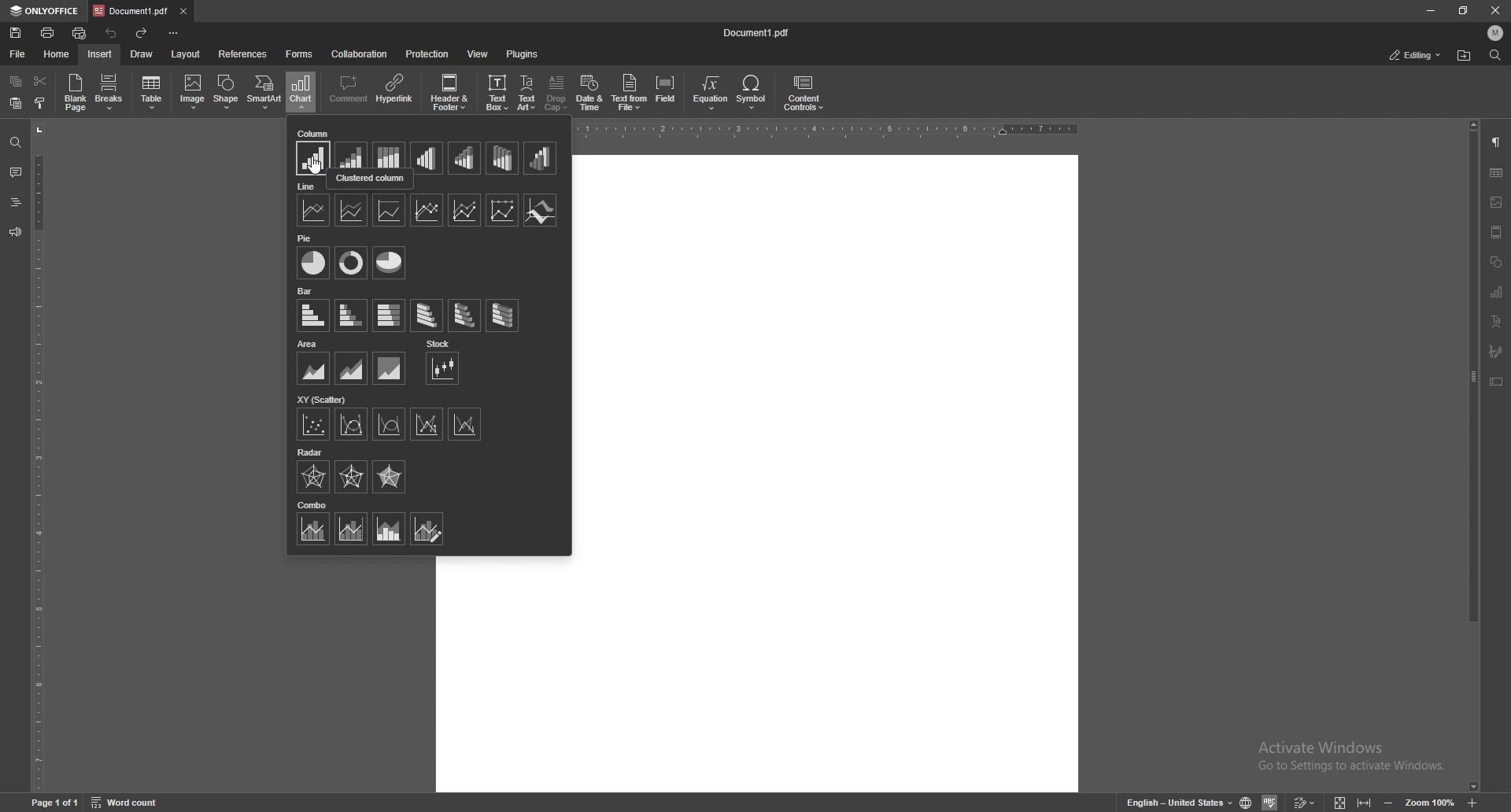 This screenshot has width=1511, height=812. Describe the element at coordinates (1465, 55) in the screenshot. I see `find location` at that location.